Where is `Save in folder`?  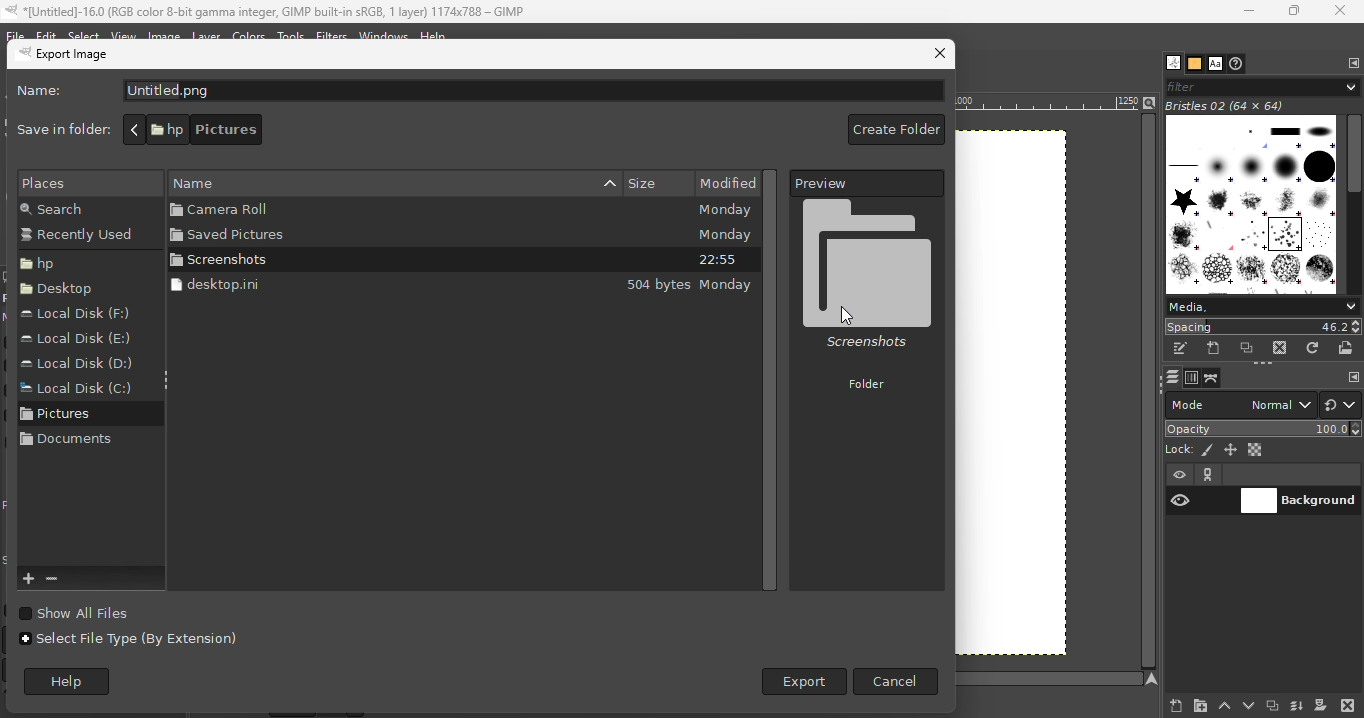 Save in folder is located at coordinates (59, 129).